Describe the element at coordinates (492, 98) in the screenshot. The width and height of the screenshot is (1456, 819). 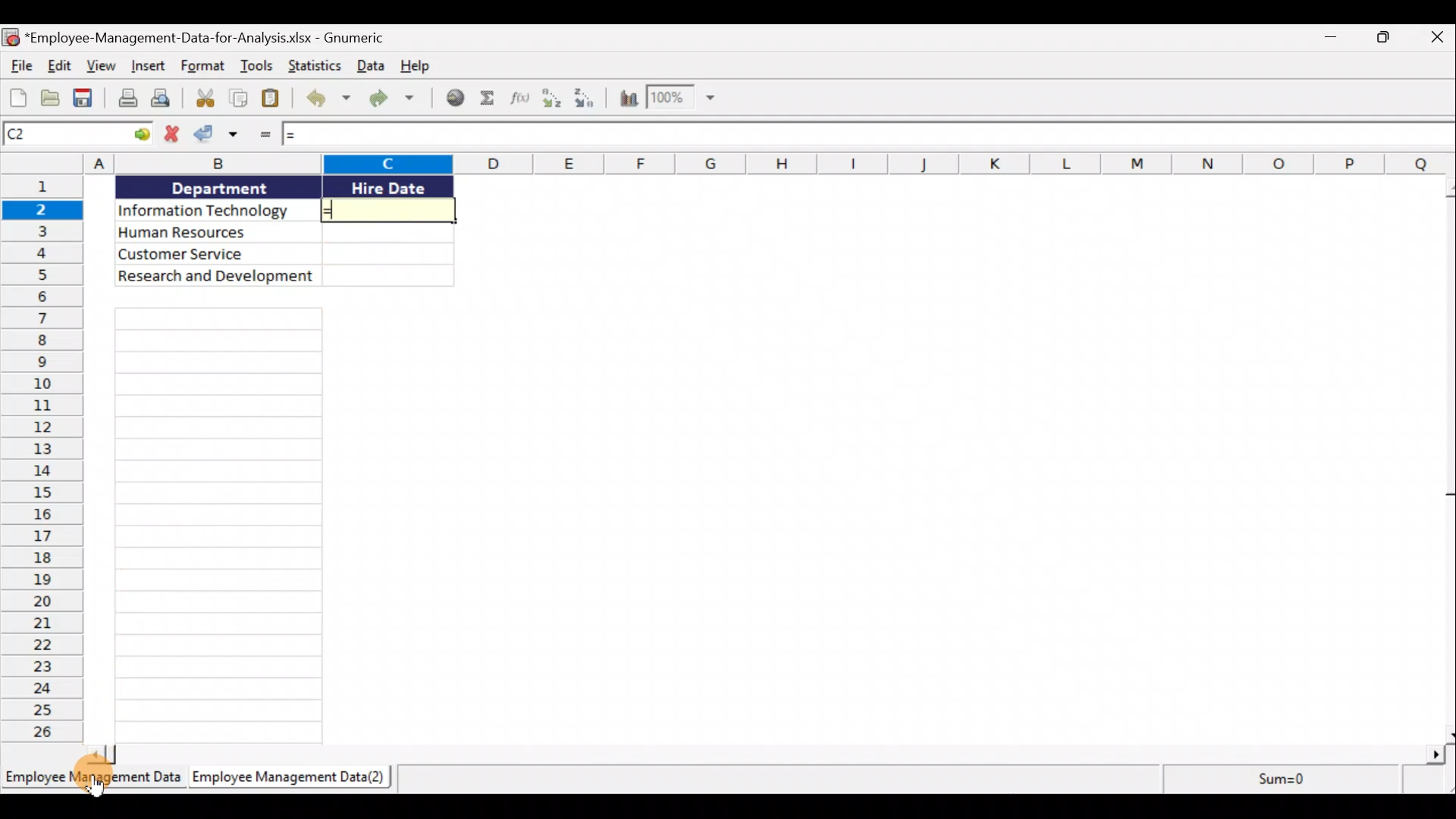
I see `Sum into the current cell` at that location.